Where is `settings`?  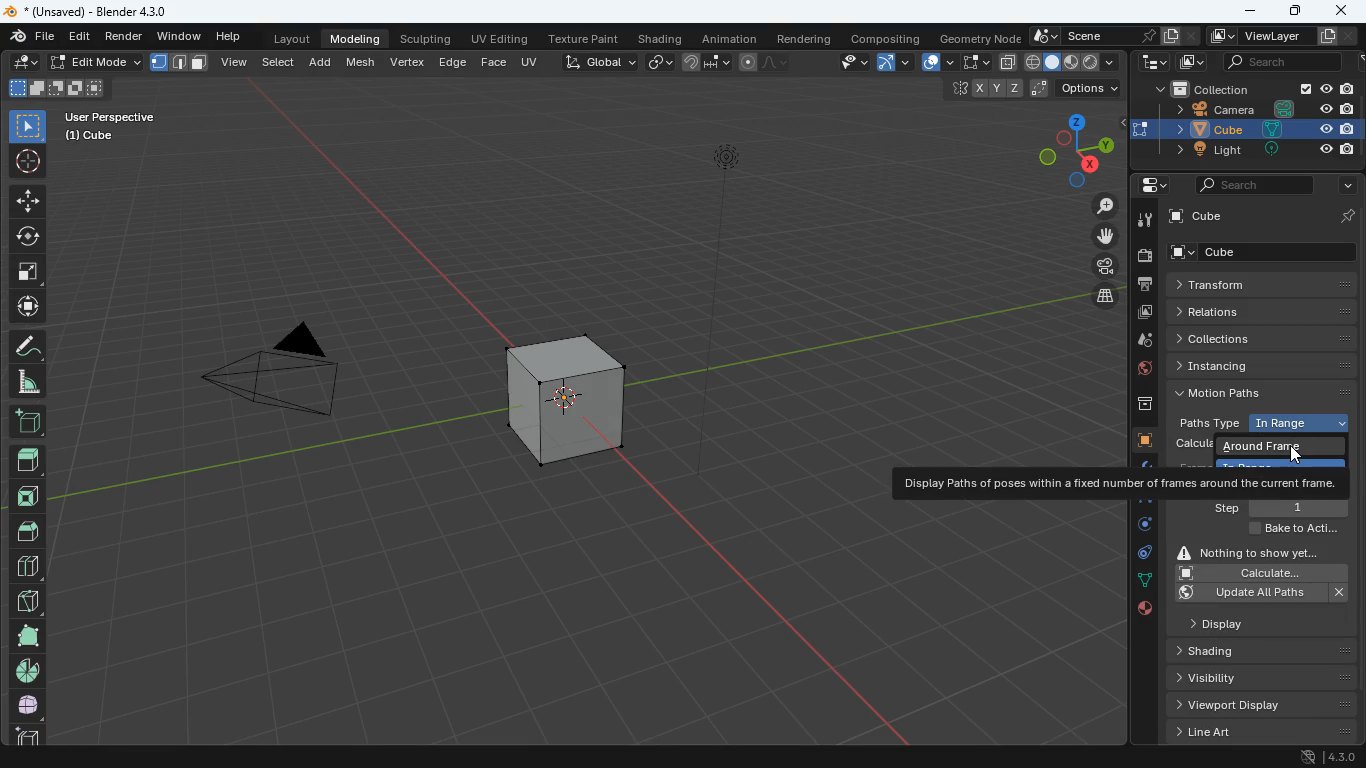
settings is located at coordinates (1147, 186).